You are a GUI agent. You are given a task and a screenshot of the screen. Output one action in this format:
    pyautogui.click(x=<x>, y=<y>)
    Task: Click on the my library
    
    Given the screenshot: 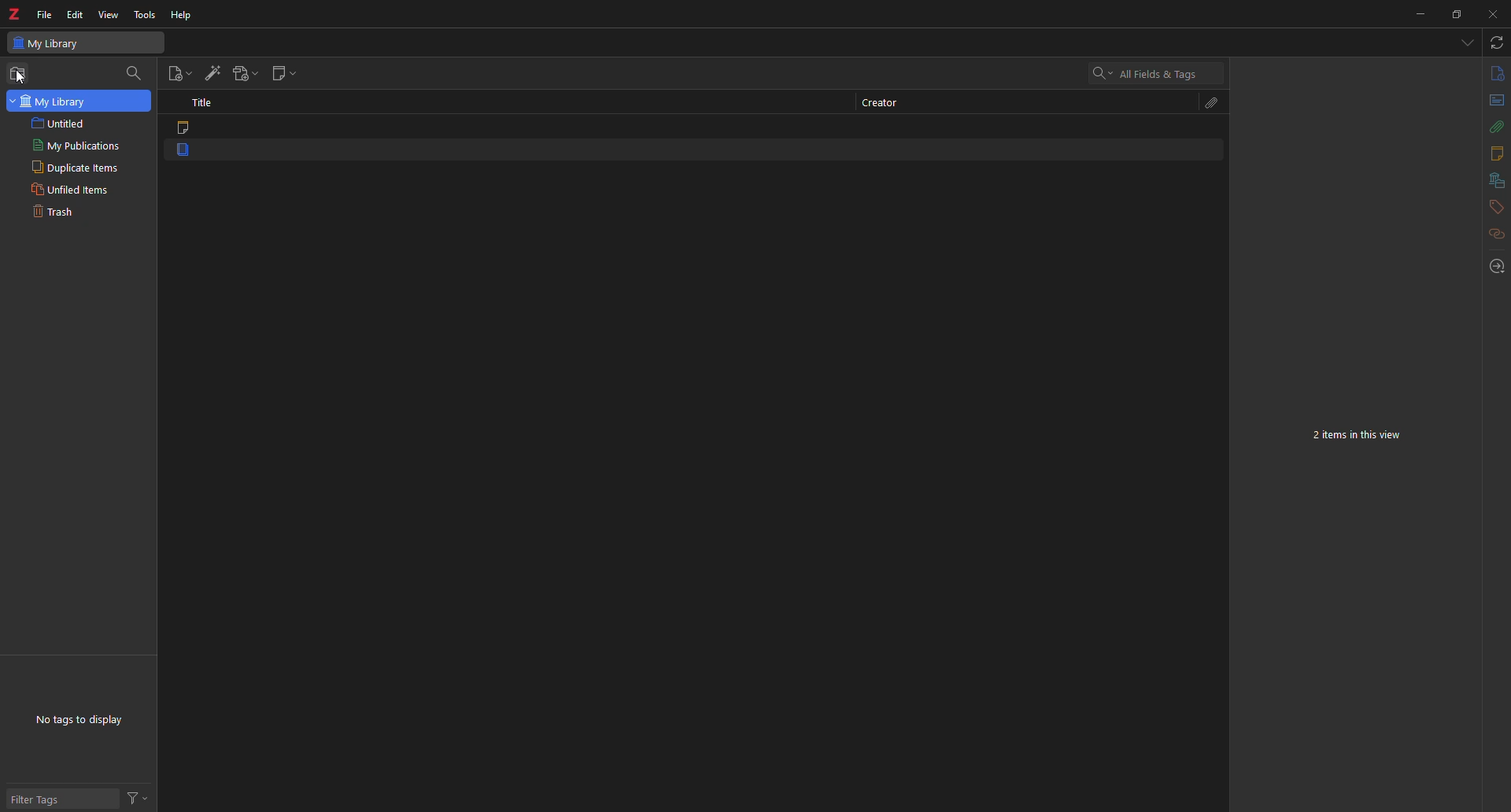 What is the action you would take?
    pyautogui.click(x=50, y=42)
    